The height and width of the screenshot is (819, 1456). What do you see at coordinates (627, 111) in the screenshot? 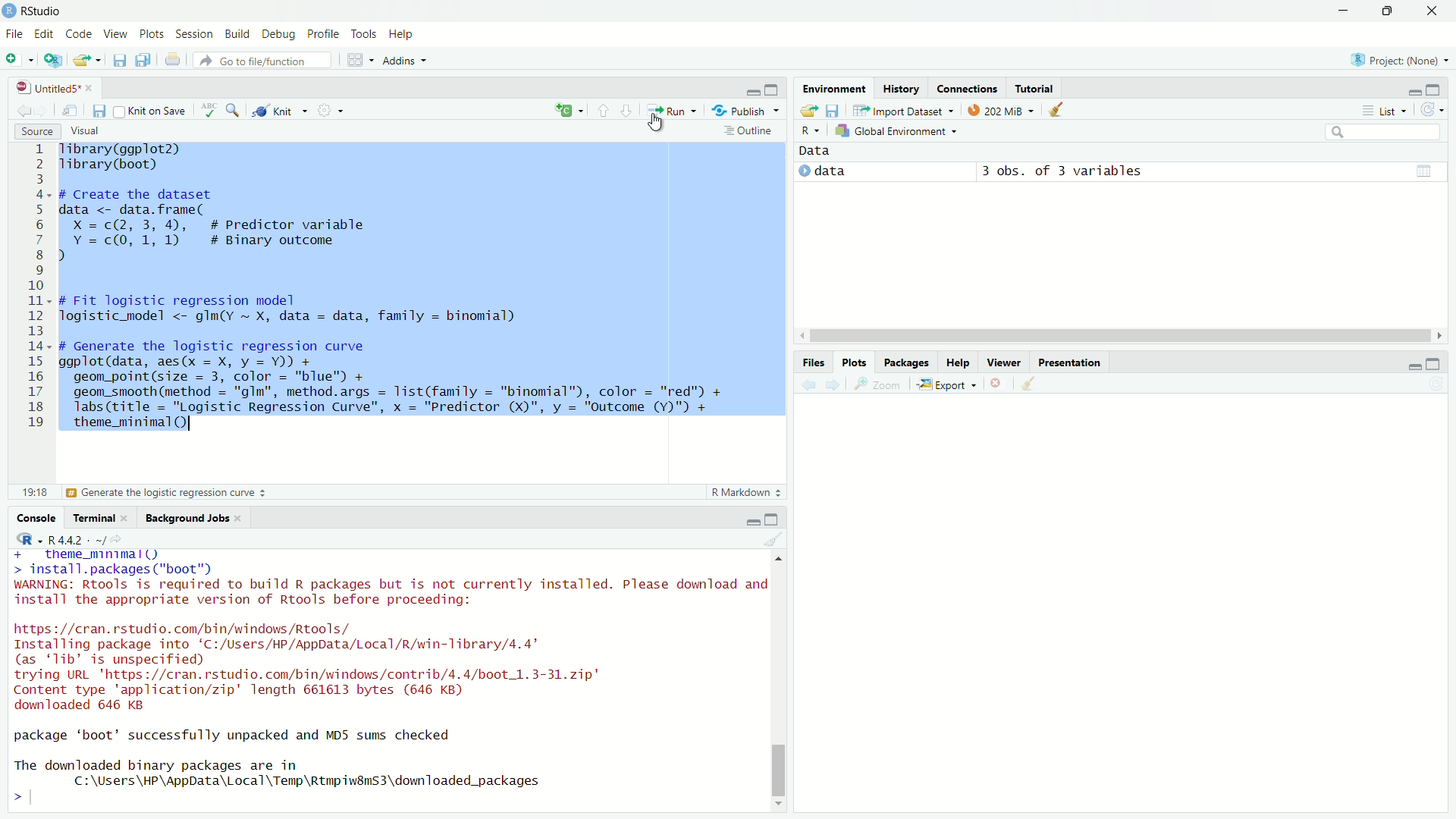
I see `Go to next section/chunk` at bounding box center [627, 111].